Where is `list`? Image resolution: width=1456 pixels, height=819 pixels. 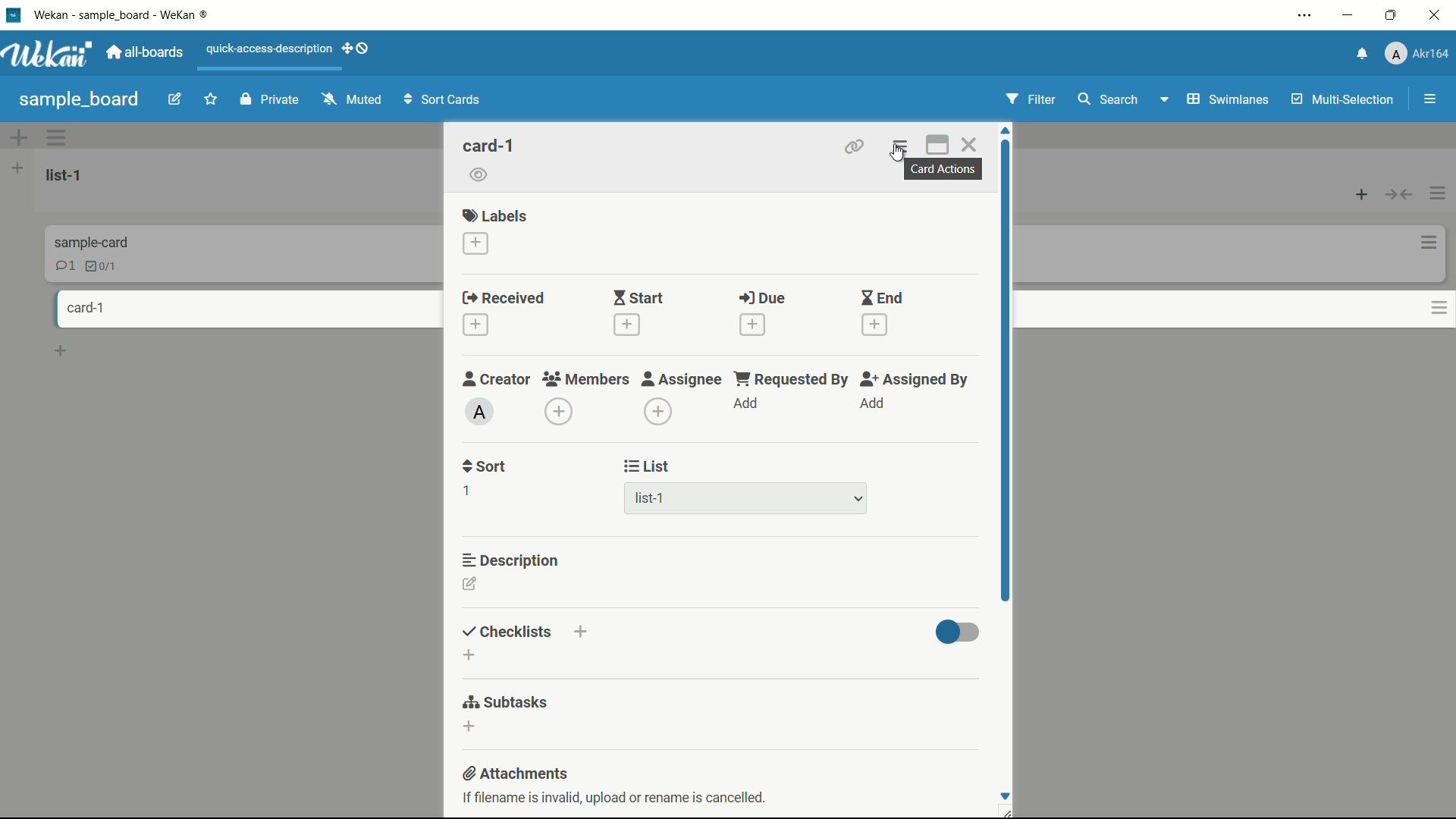 list is located at coordinates (648, 466).